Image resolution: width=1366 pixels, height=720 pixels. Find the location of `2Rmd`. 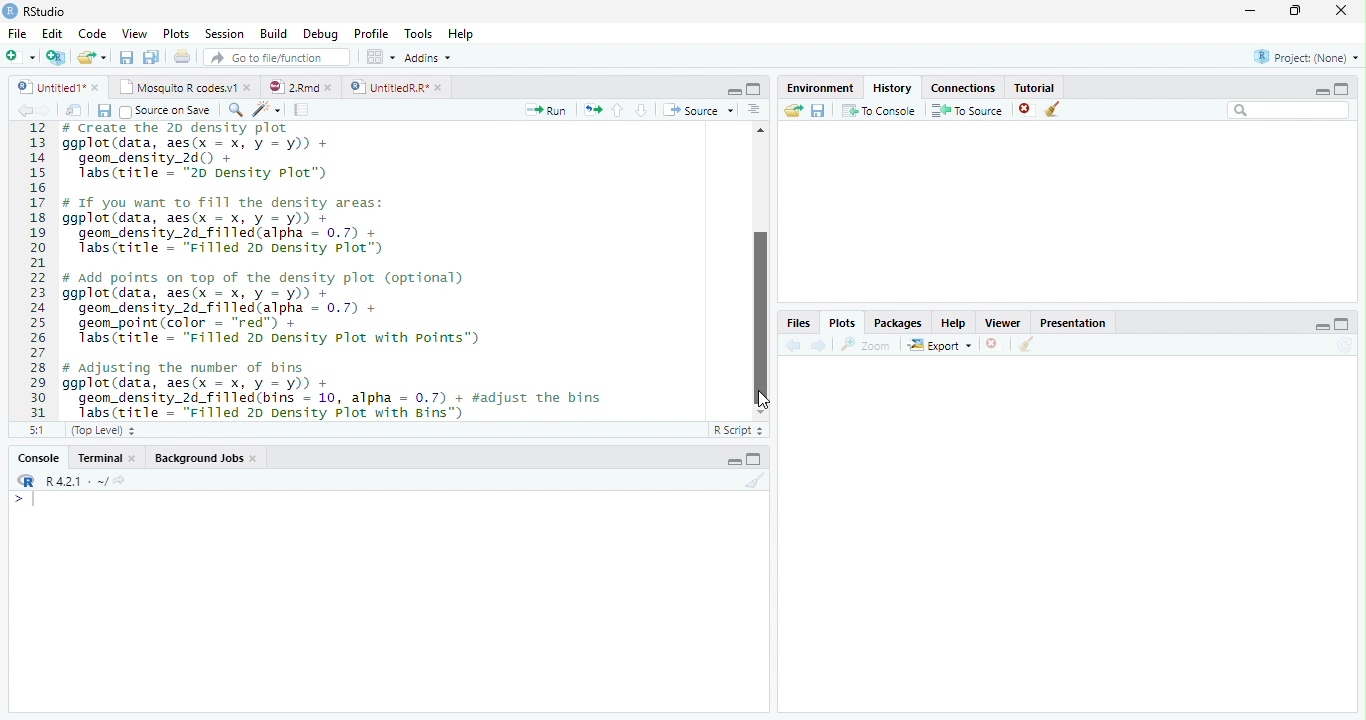

2Rmd is located at coordinates (292, 86).